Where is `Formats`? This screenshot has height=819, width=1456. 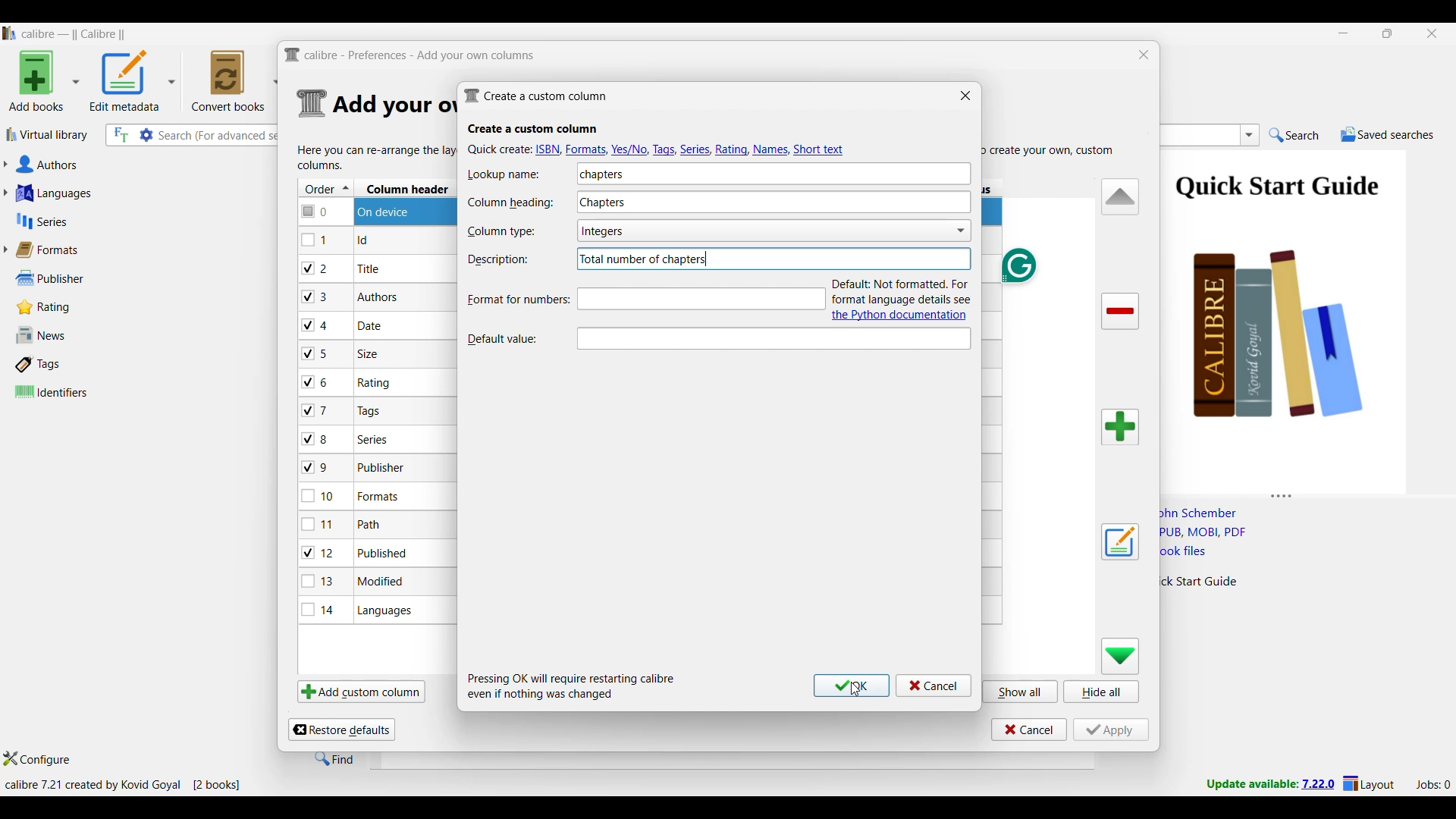 Formats is located at coordinates (54, 249).